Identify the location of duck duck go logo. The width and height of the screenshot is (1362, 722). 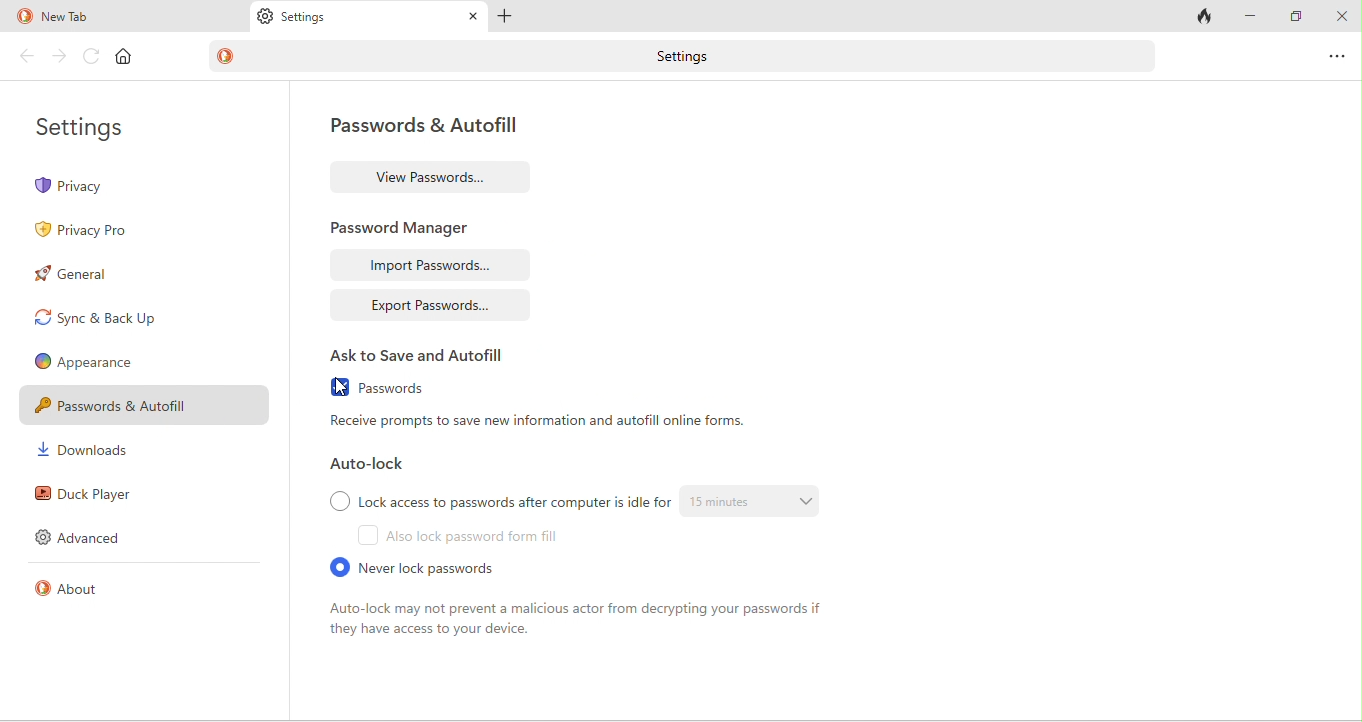
(22, 15).